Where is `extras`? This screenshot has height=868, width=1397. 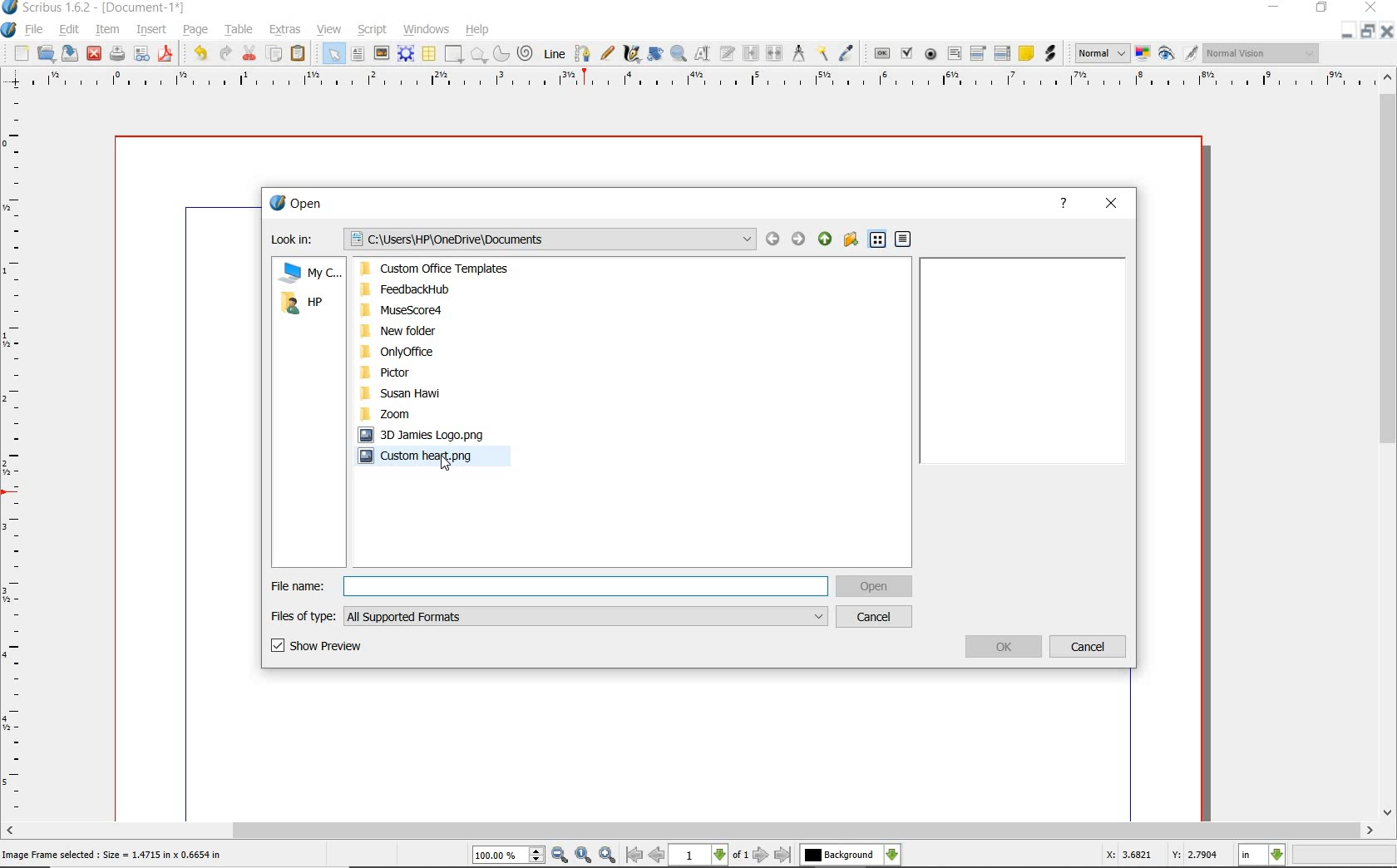 extras is located at coordinates (285, 30).